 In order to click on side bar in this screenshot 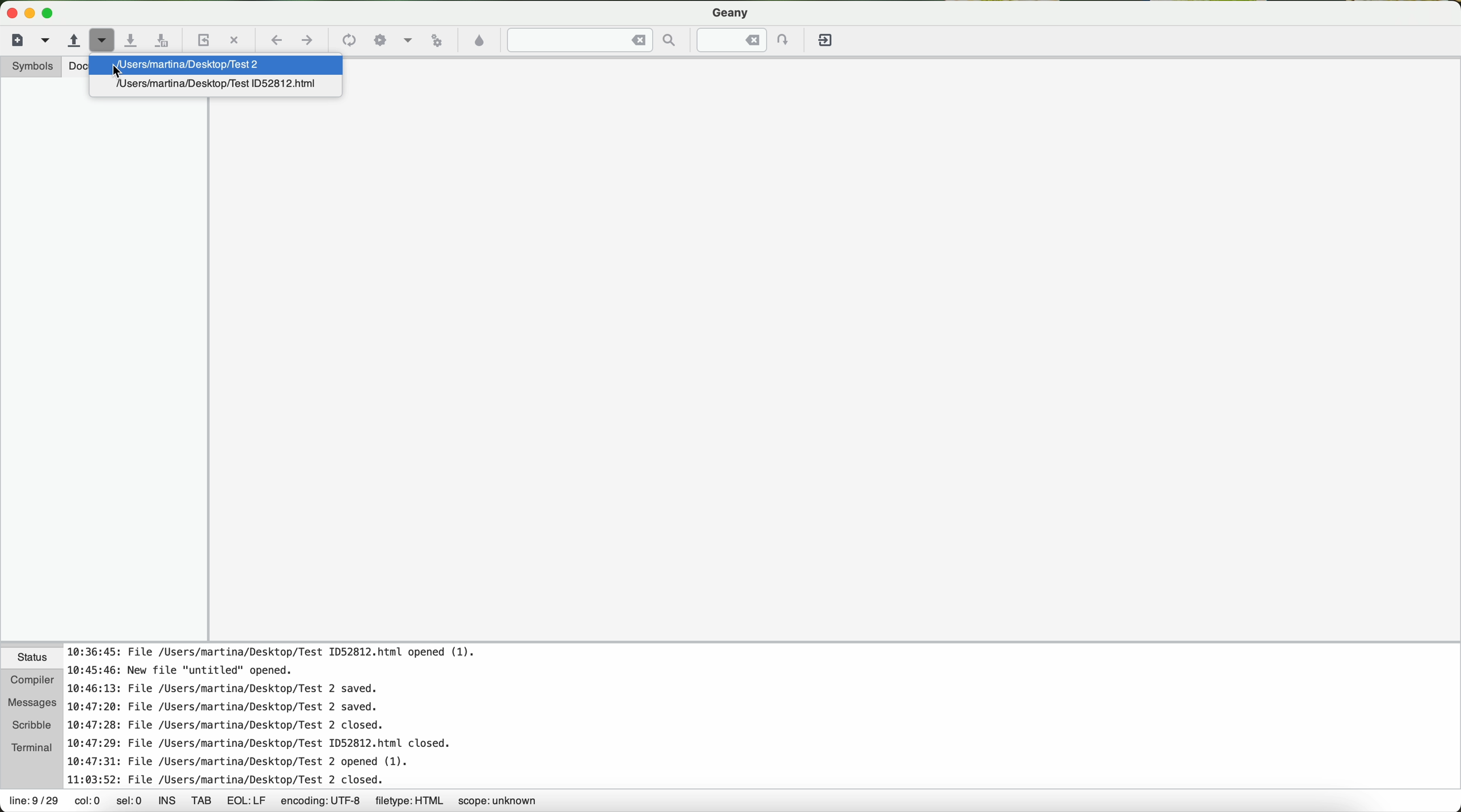, I will do `click(103, 377)`.